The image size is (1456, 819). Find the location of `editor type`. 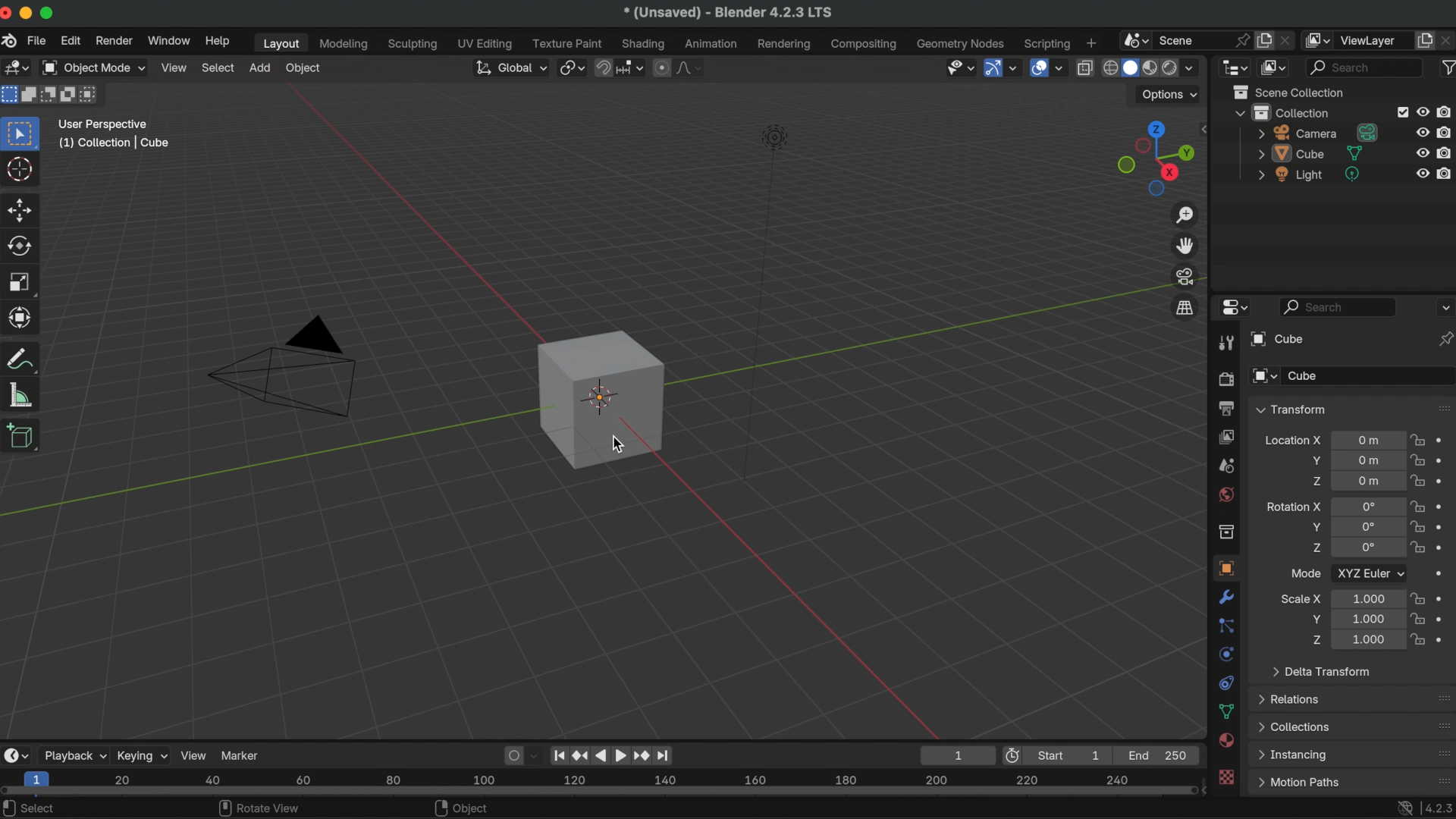

editor type is located at coordinates (1235, 66).